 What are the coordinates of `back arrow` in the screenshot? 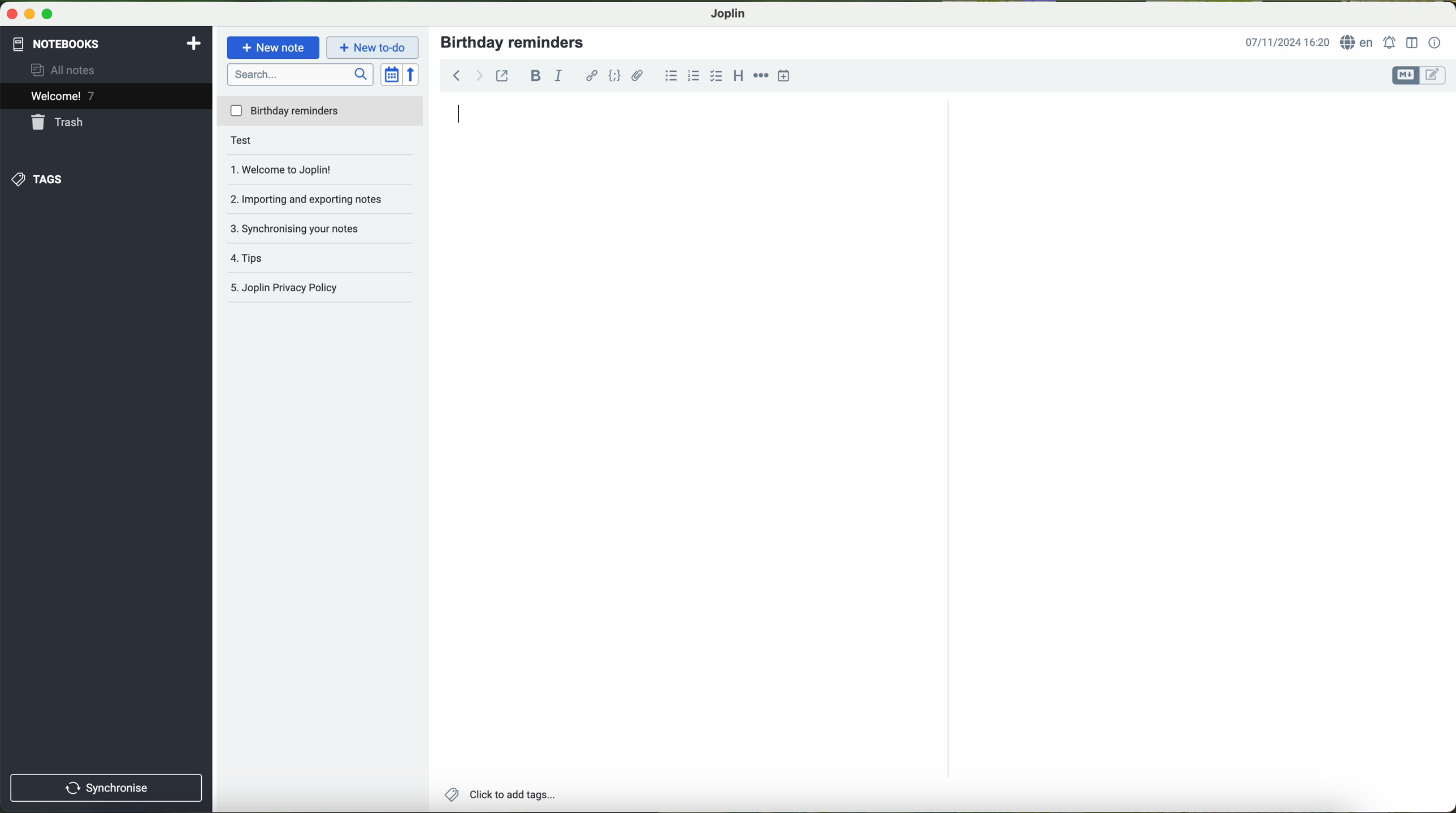 It's located at (466, 74).